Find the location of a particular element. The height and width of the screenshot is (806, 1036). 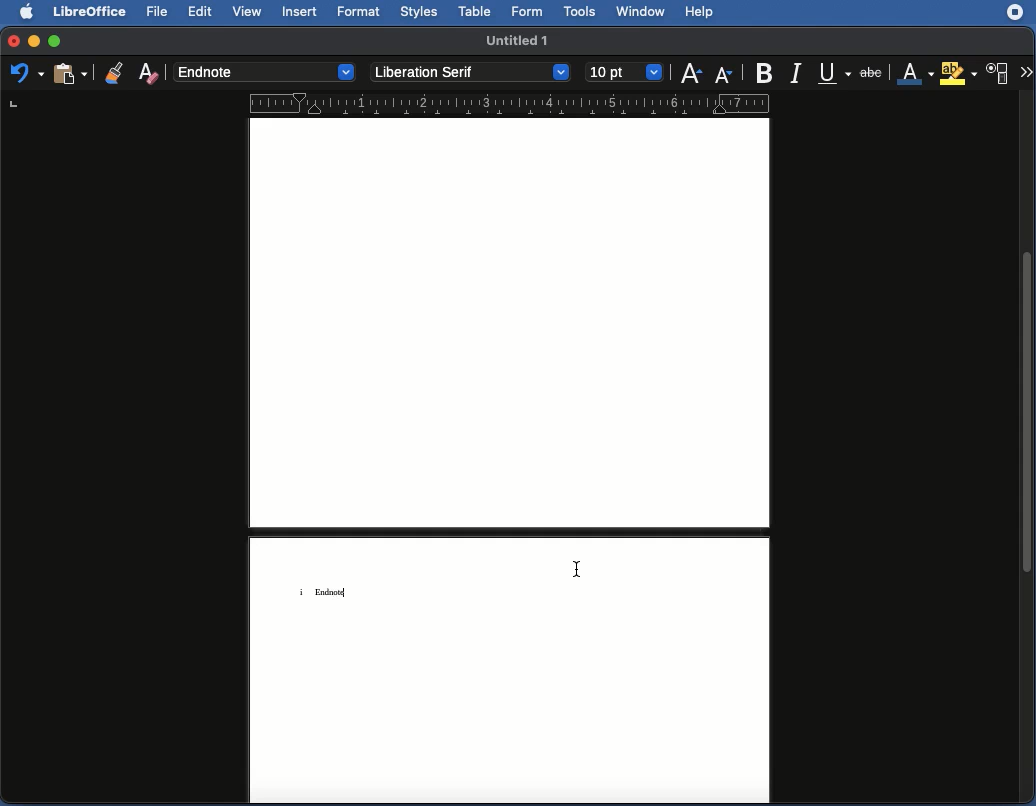

File is located at coordinates (159, 12).